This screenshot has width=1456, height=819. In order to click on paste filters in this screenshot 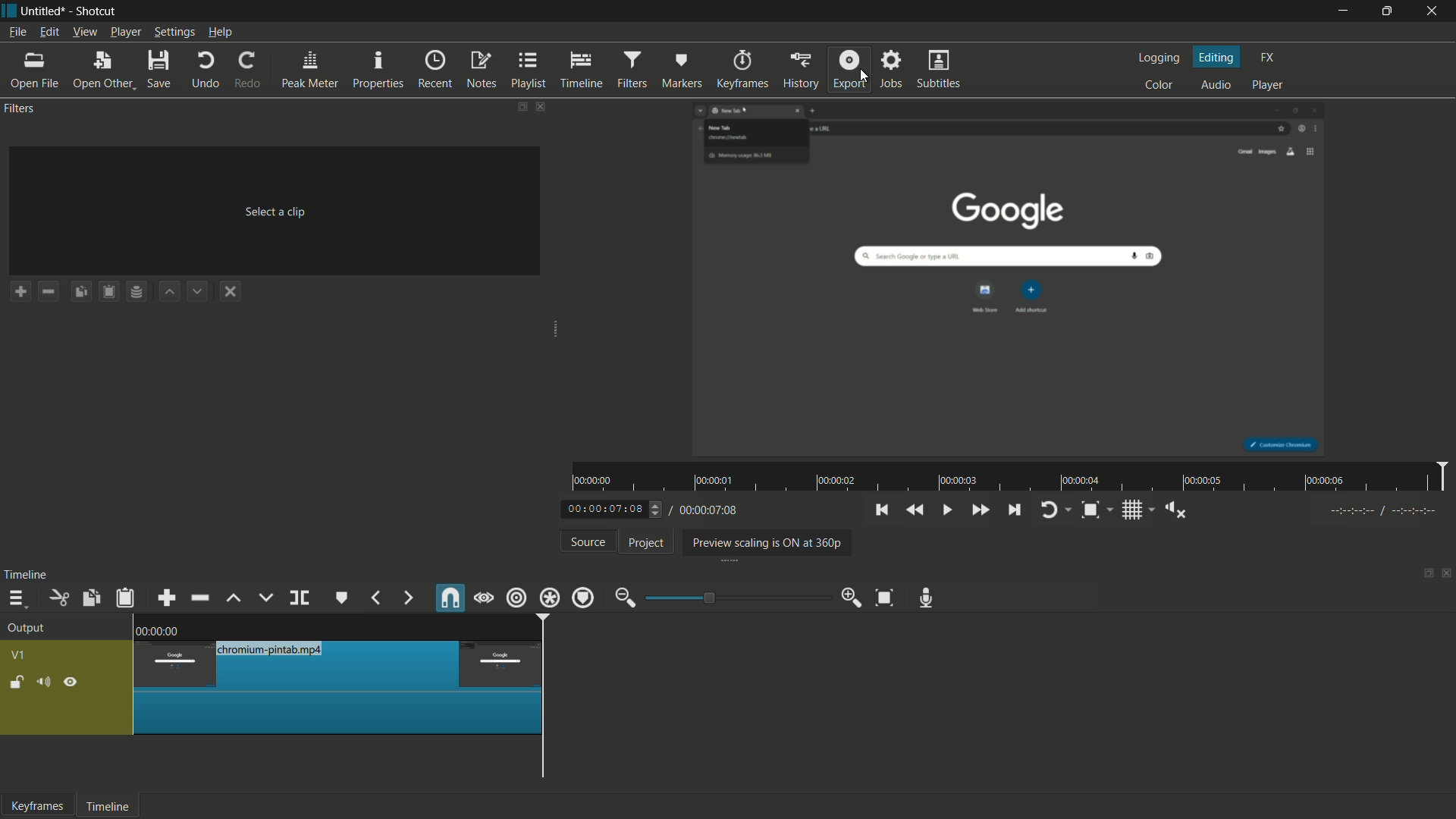, I will do `click(110, 291)`.